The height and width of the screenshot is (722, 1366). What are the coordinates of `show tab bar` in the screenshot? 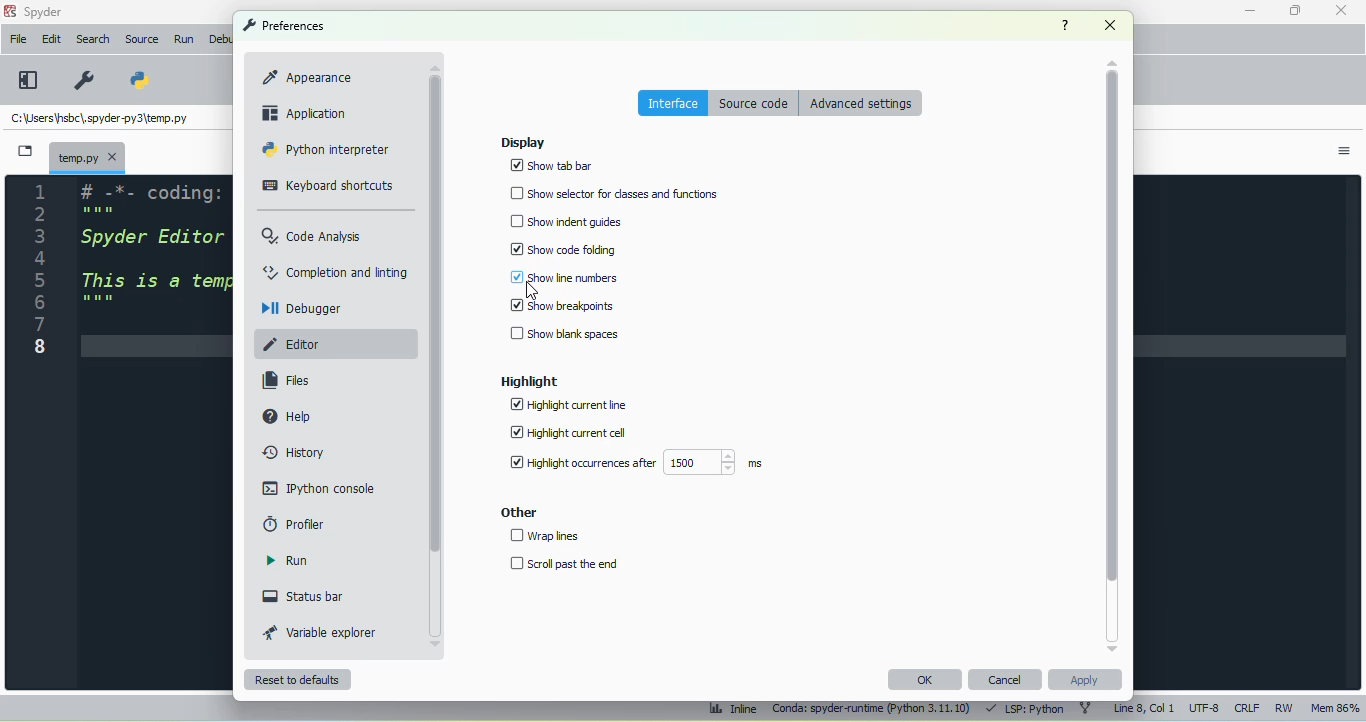 It's located at (552, 166).